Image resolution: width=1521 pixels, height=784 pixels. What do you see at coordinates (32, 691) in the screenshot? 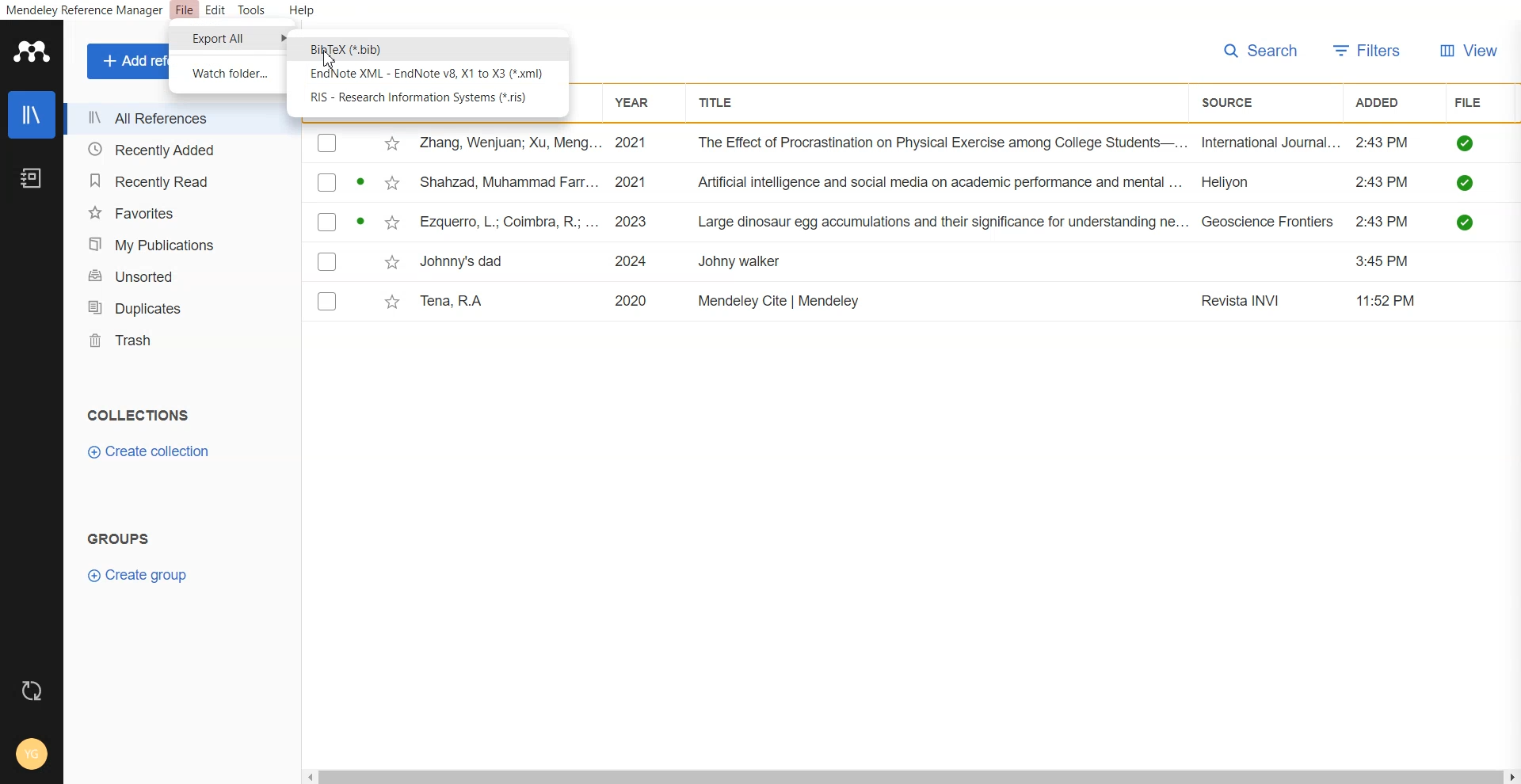
I see `Auto sync` at bounding box center [32, 691].